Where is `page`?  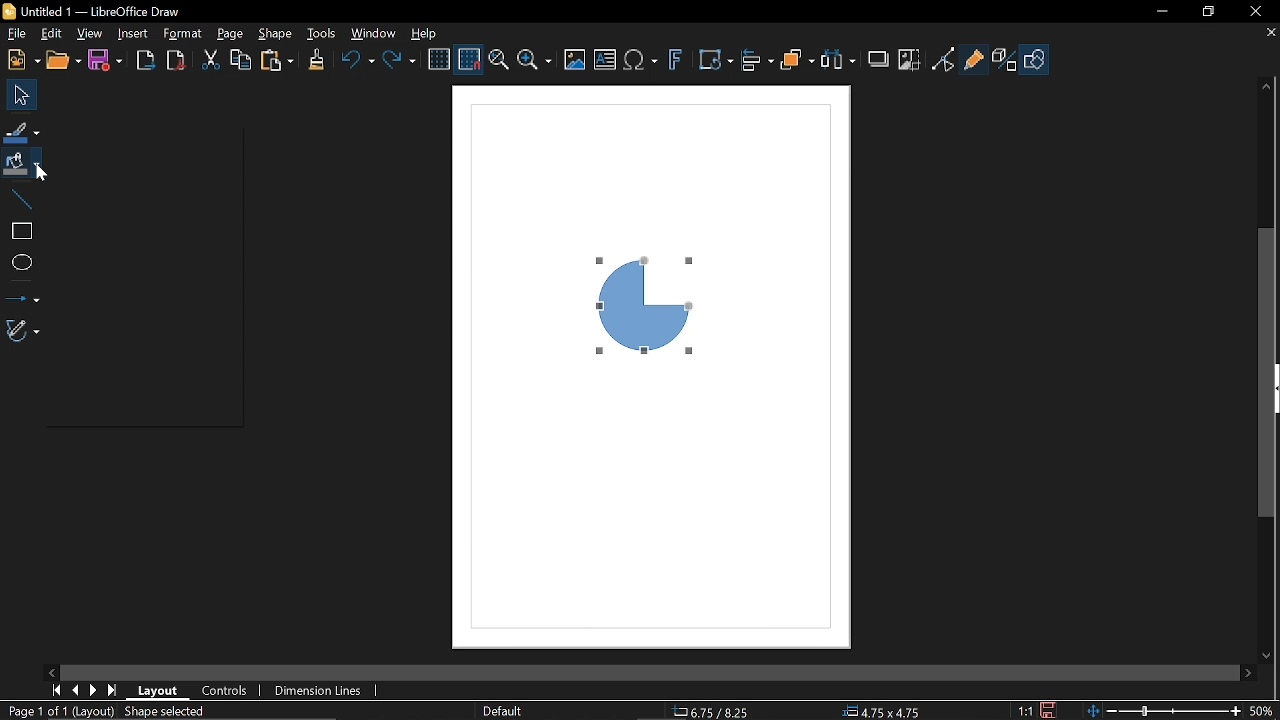 page is located at coordinates (230, 36).